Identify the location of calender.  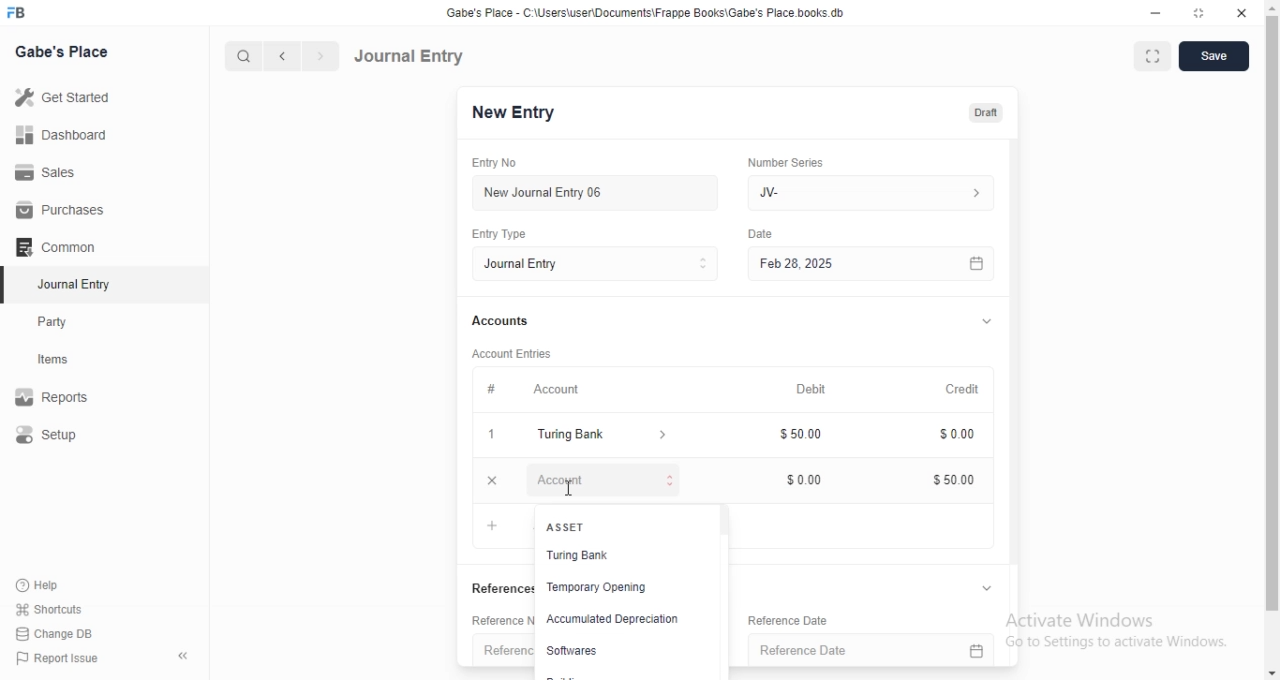
(984, 263).